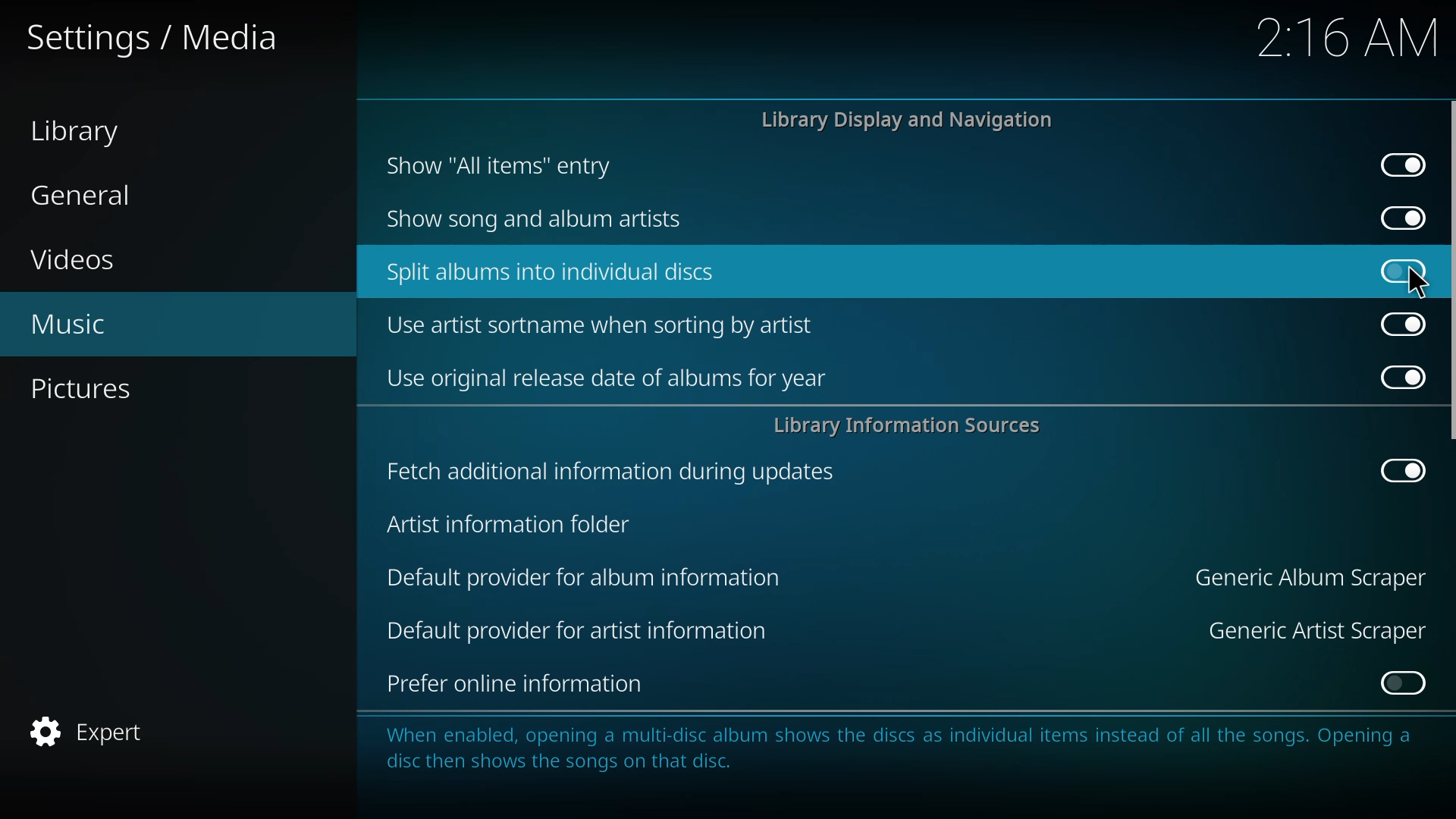  What do you see at coordinates (1394, 375) in the screenshot?
I see `enabled` at bounding box center [1394, 375].